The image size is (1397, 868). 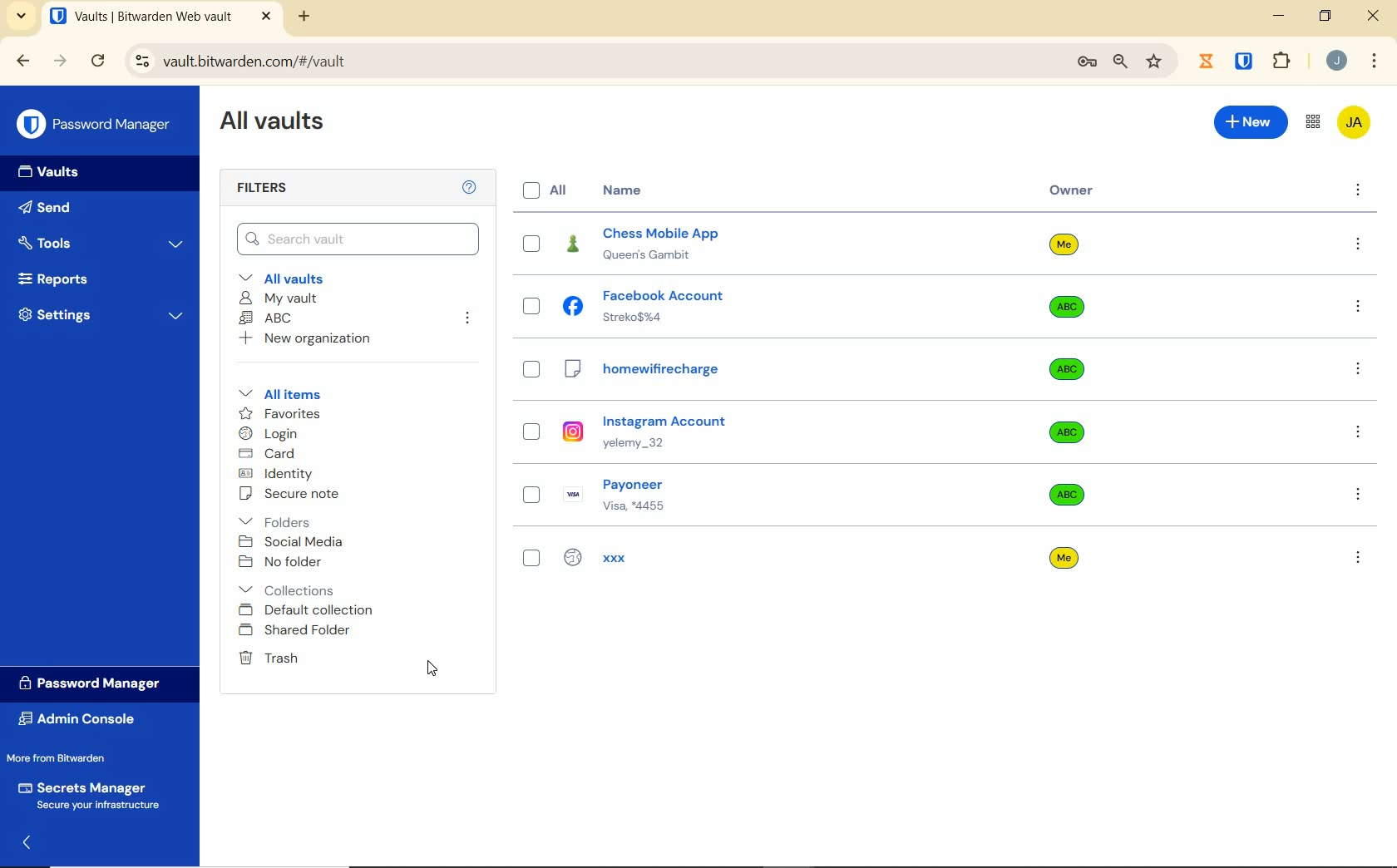 What do you see at coordinates (96, 125) in the screenshot?
I see `Password Manager` at bounding box center [96, 125].